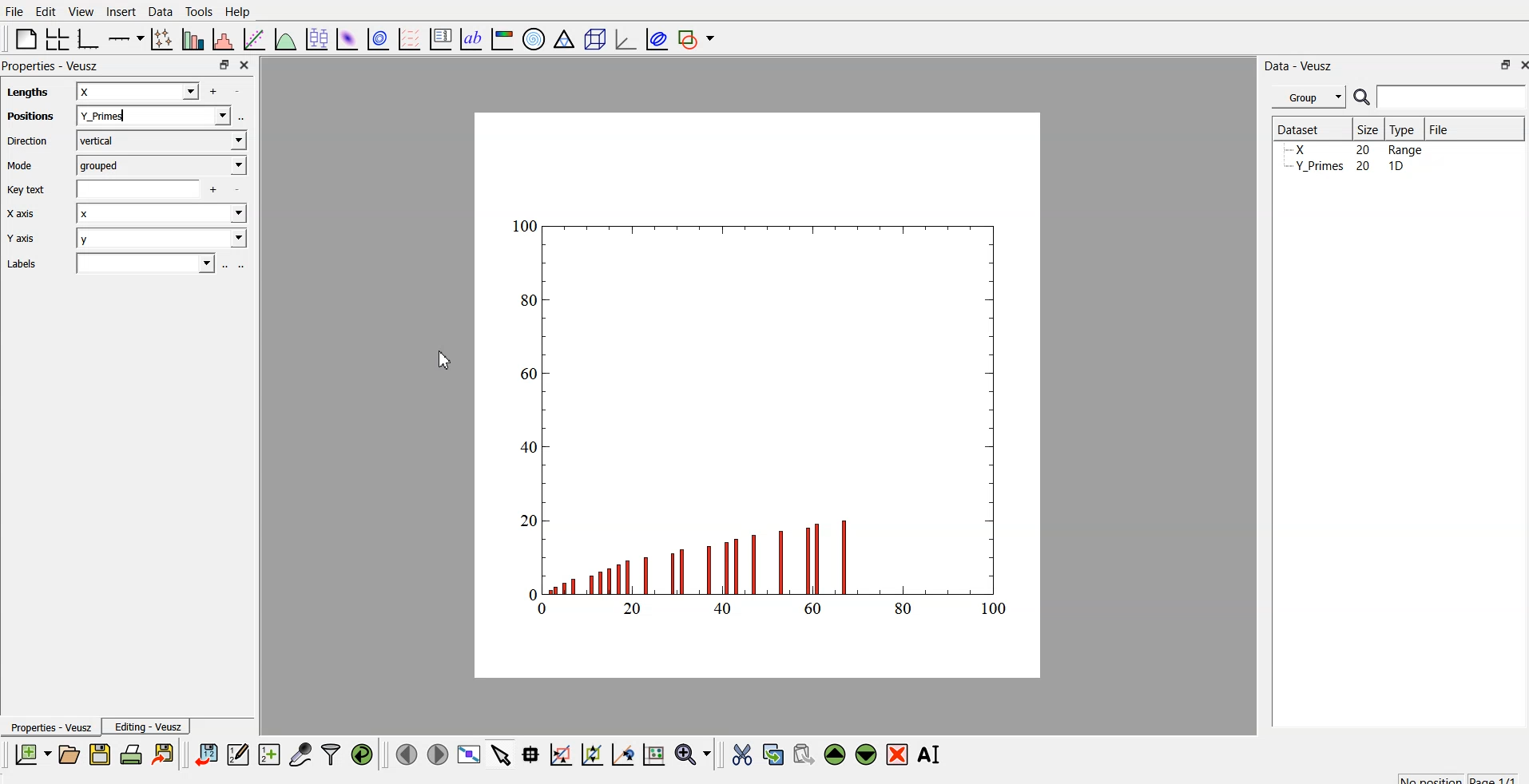 The width and height of the screenshot is (1529, 784). What do you see at coordinates (443, 363) in the screenshot?
I see `cursor` at bounding box center [443, 363].